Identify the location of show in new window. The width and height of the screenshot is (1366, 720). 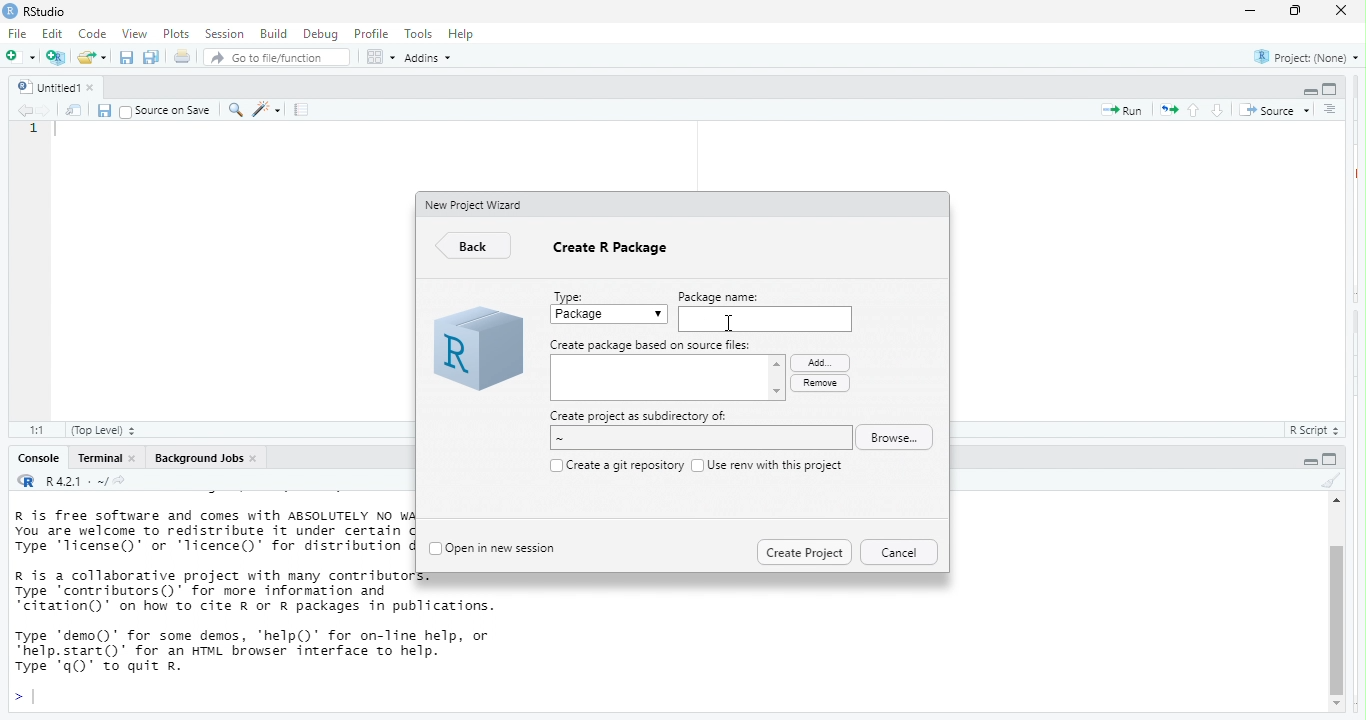
(72, 111).